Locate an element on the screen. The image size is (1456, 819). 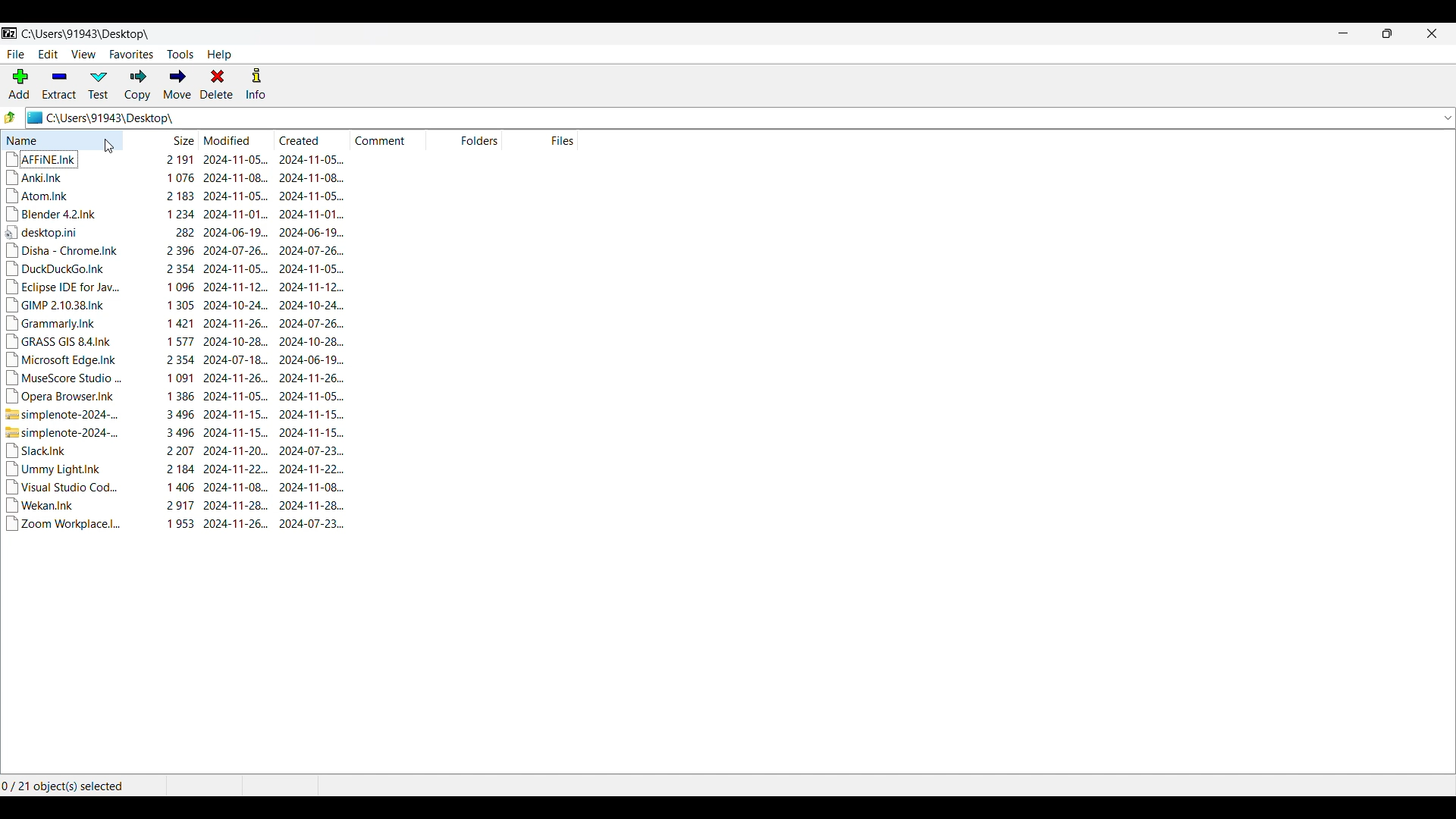
Disha - Chrome.Ink 2396 2024-07-26... 2024-07-26... is located at coordinates (174, 251).